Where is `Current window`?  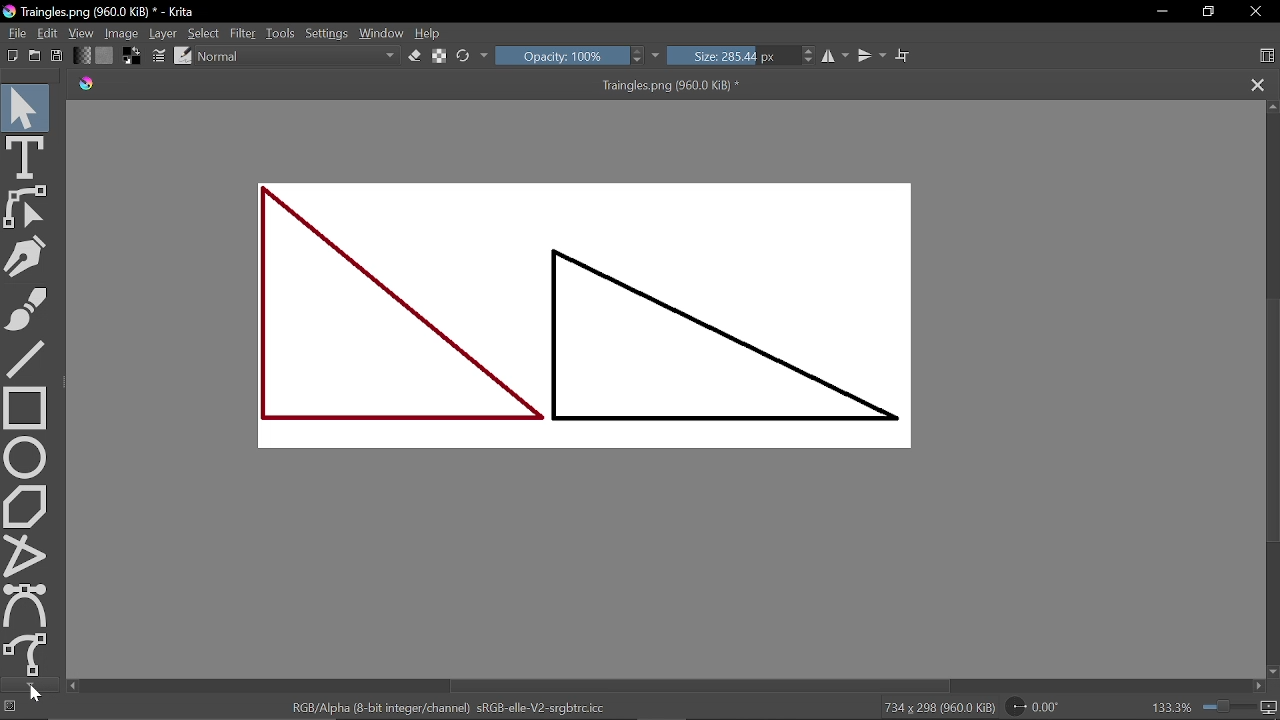
Current window is located at coordinates (102, 12).